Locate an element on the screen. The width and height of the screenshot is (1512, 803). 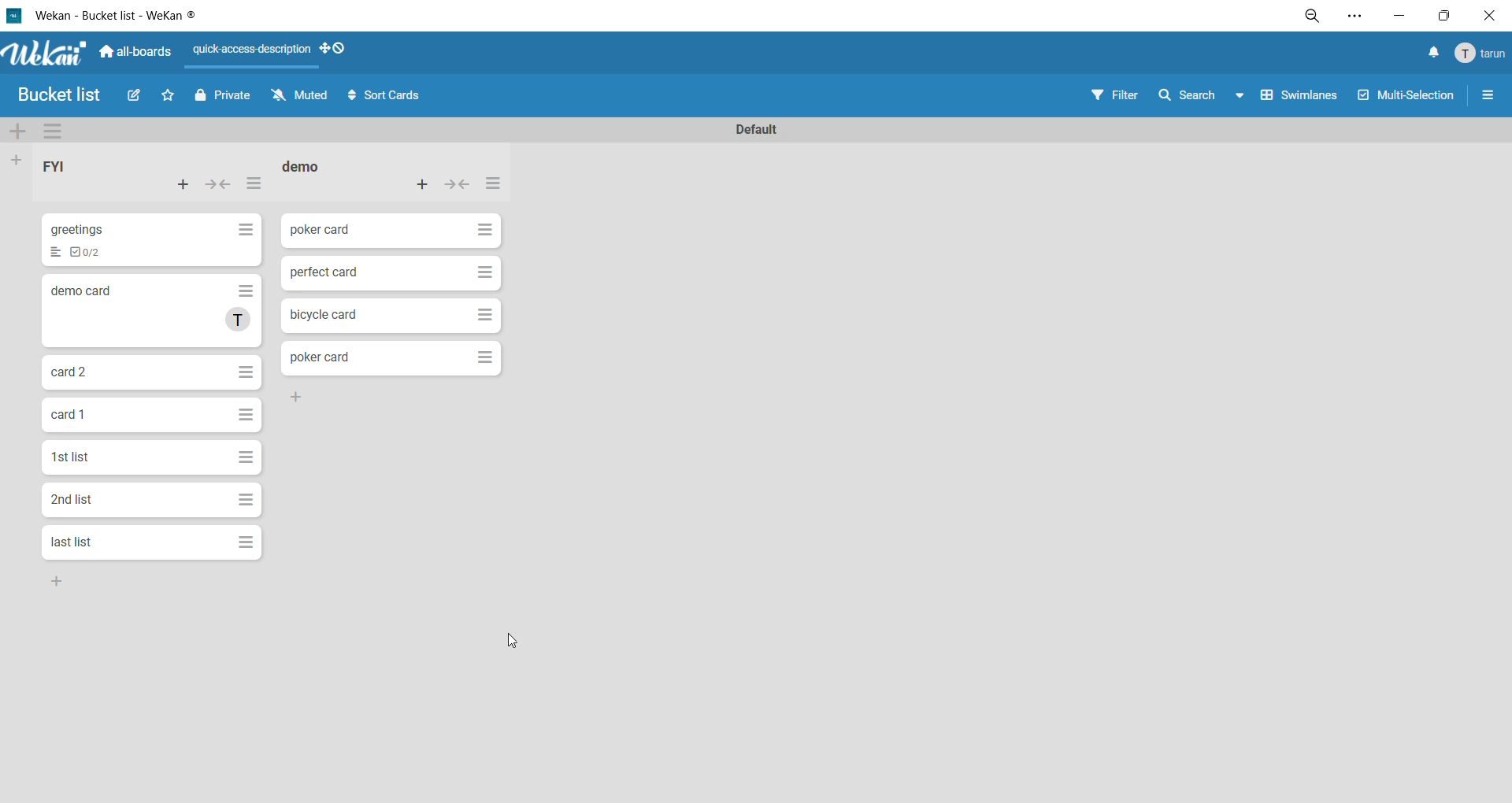
swimlanes is located at coordinates (1303, 98).